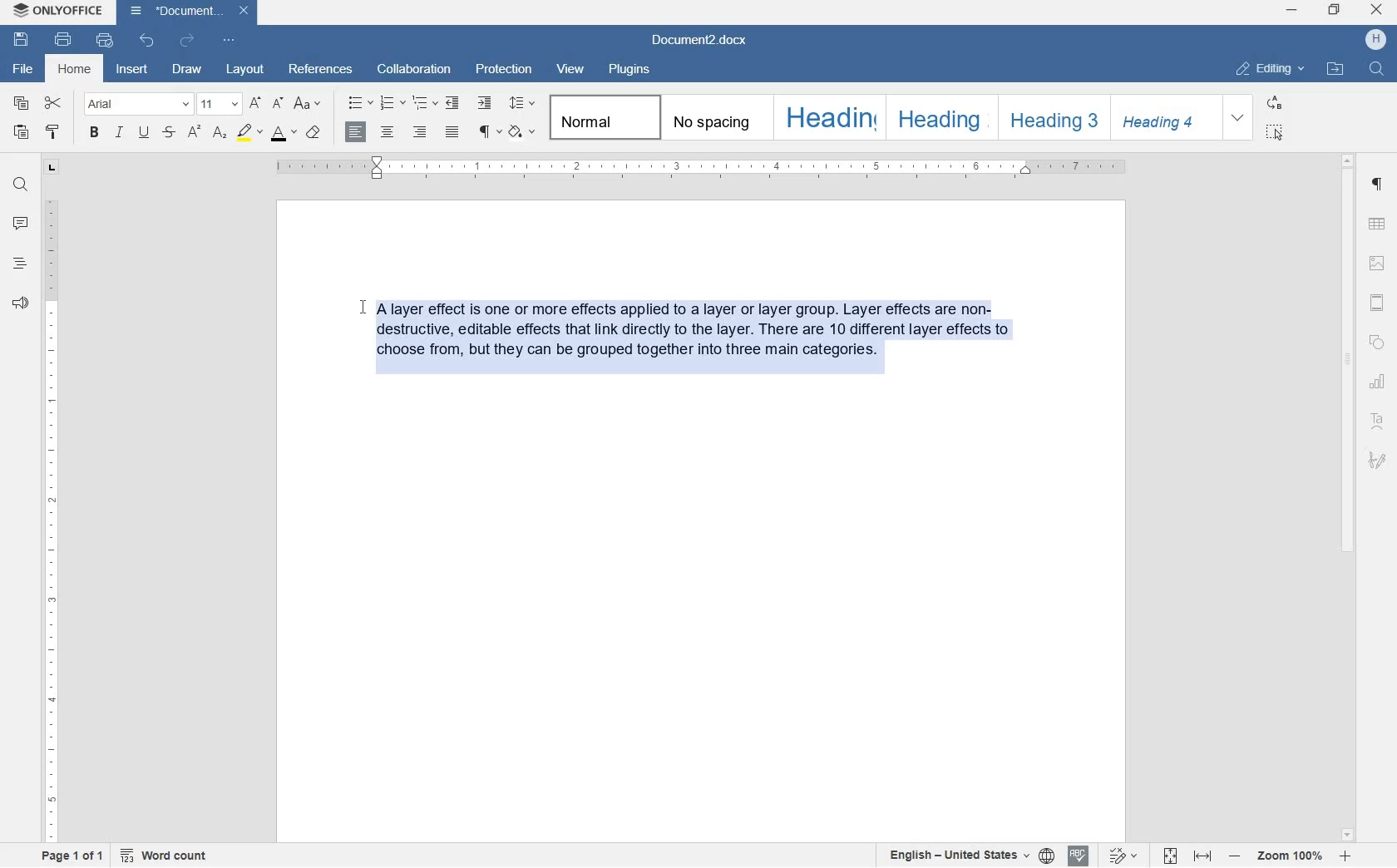 This screenshot has width=1397, height=868. I want to click on headers & footers, so click(1378, 302).